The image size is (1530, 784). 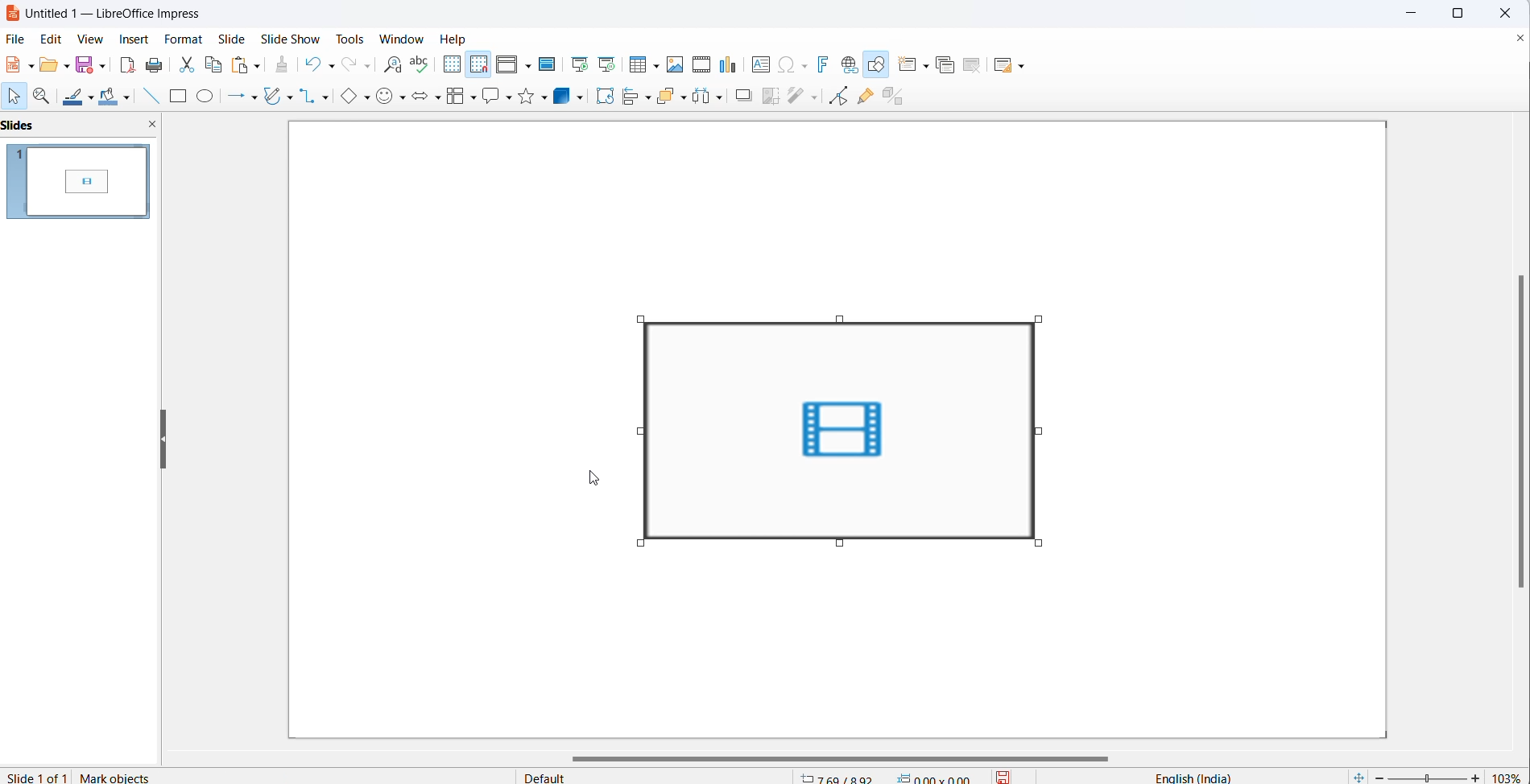 I want to click on new slide options, so click(x=928, y=65).